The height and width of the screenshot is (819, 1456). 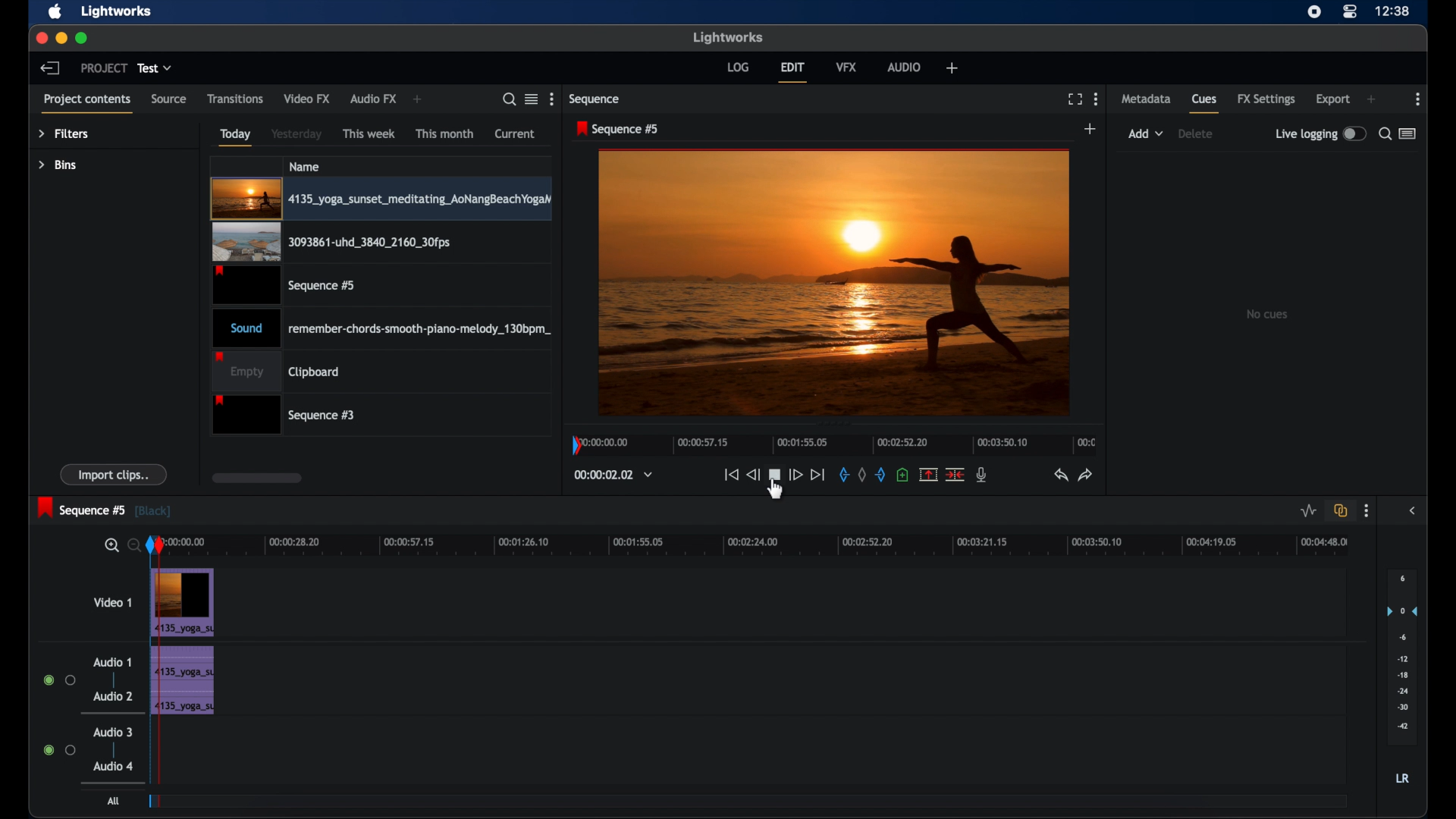 What do you see at coordinates (111, 733) in the screenshot?
I see `audio 3` at bounding box center [111, 733].